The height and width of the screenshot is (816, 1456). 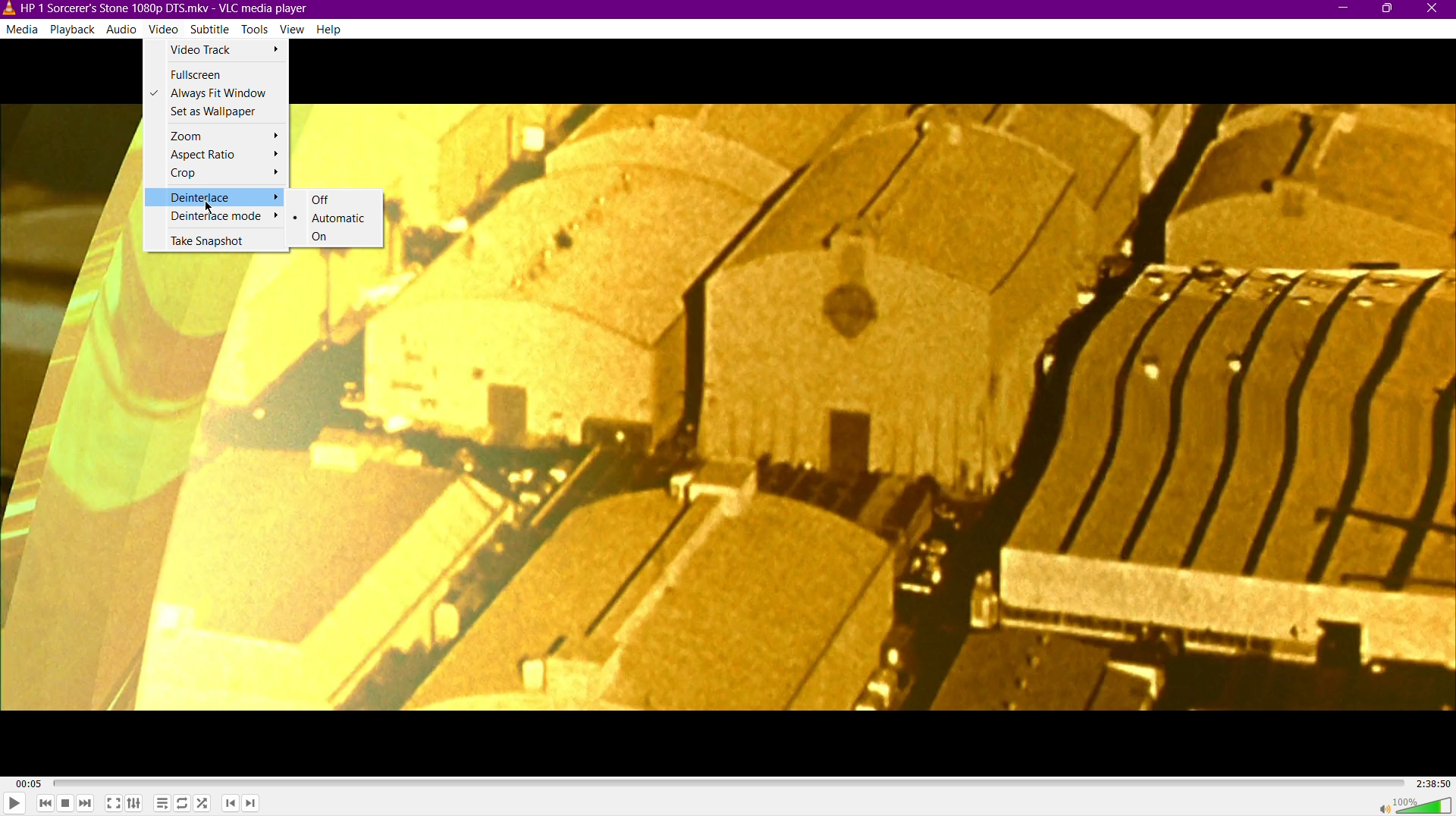 I want to click on Toggle Loop, so click(x=182, y=802).